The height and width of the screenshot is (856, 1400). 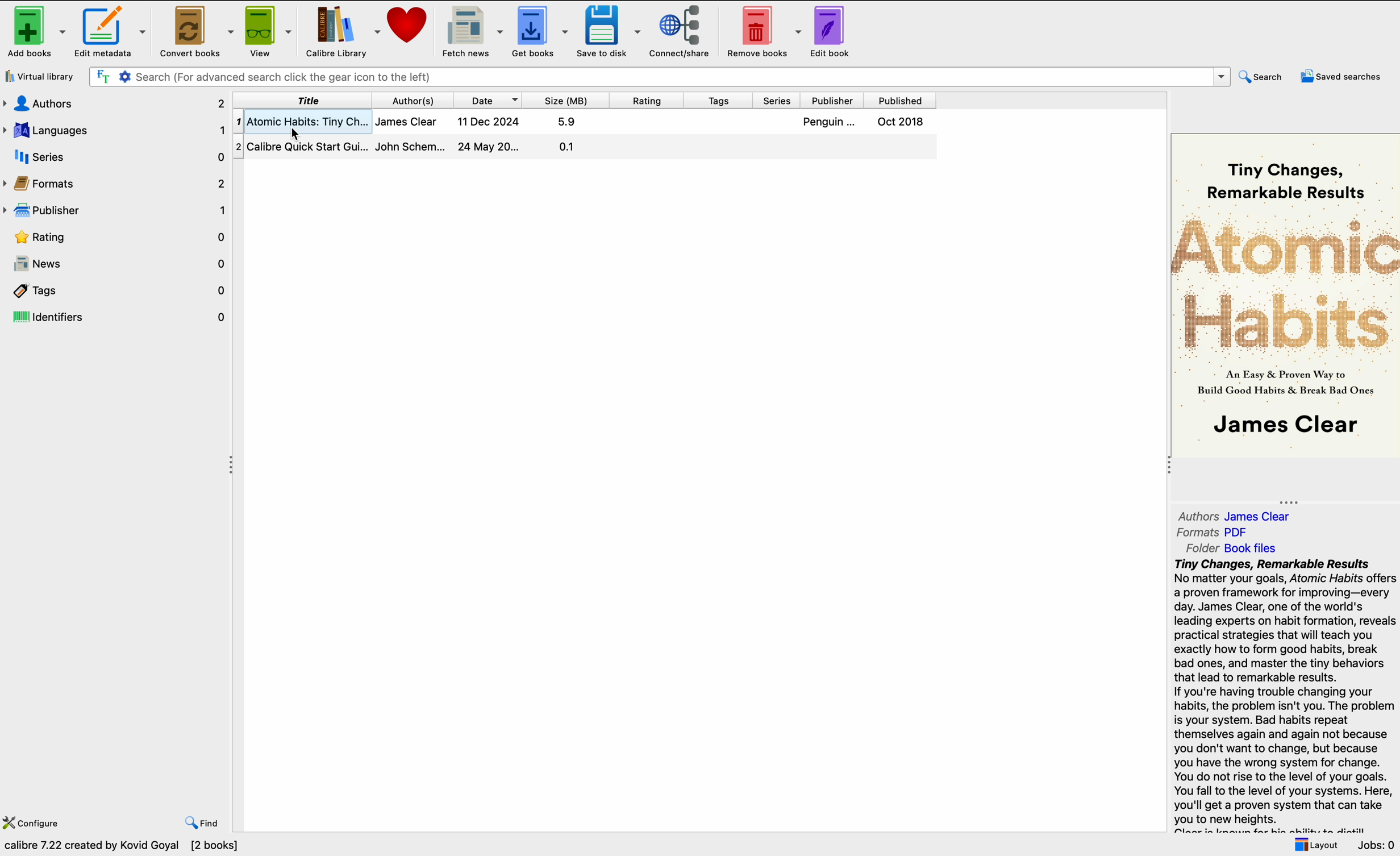 What do you see at coordinates (1343, 75) in the screenshot?
I see `saved searches` at bounding box center [1343, 75].